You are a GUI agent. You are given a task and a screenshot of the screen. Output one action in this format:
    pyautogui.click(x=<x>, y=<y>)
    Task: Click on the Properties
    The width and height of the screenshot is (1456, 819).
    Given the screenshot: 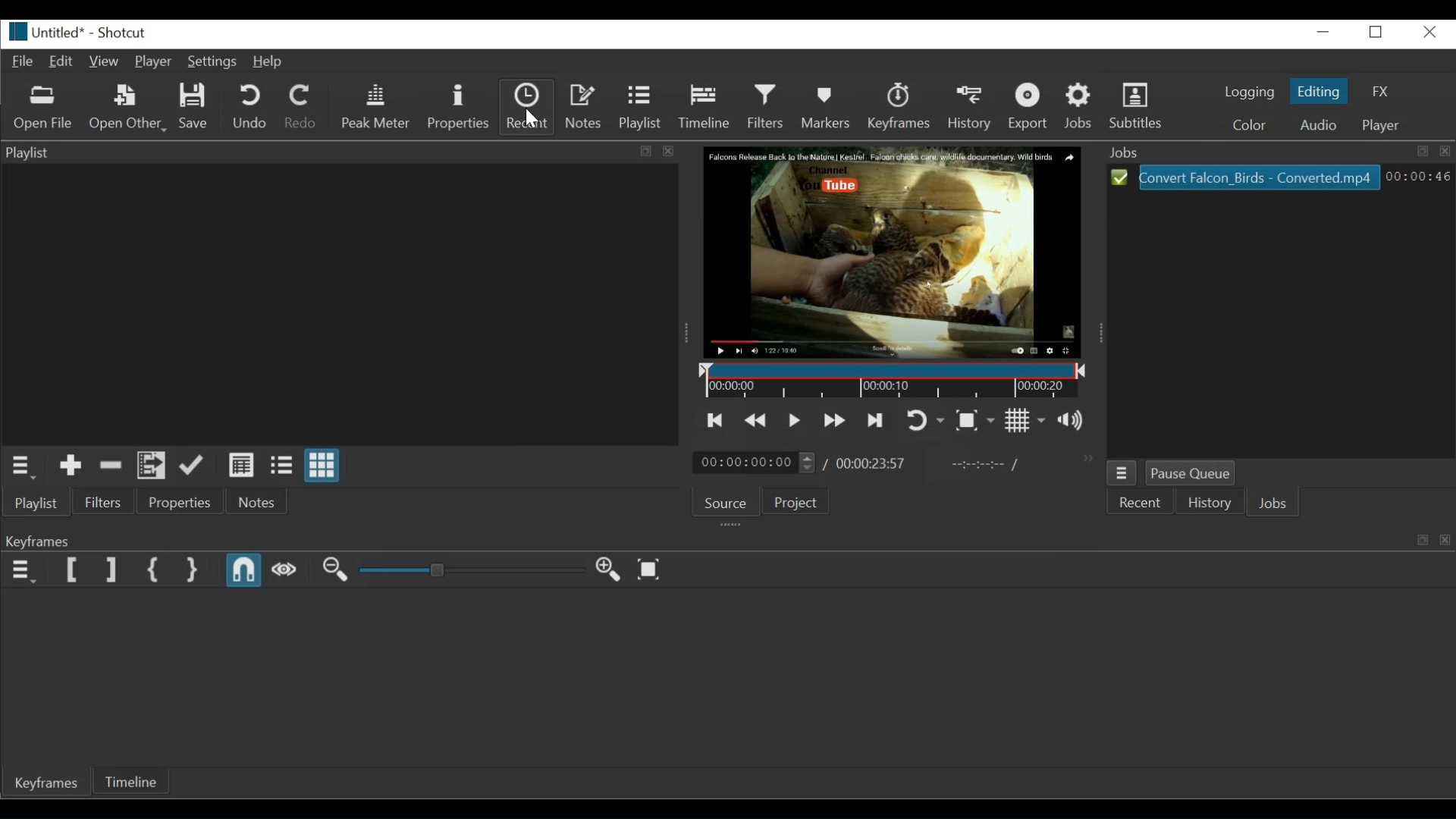 What is the action you would take?
    pyautogui.click(x=461, y=105)
    